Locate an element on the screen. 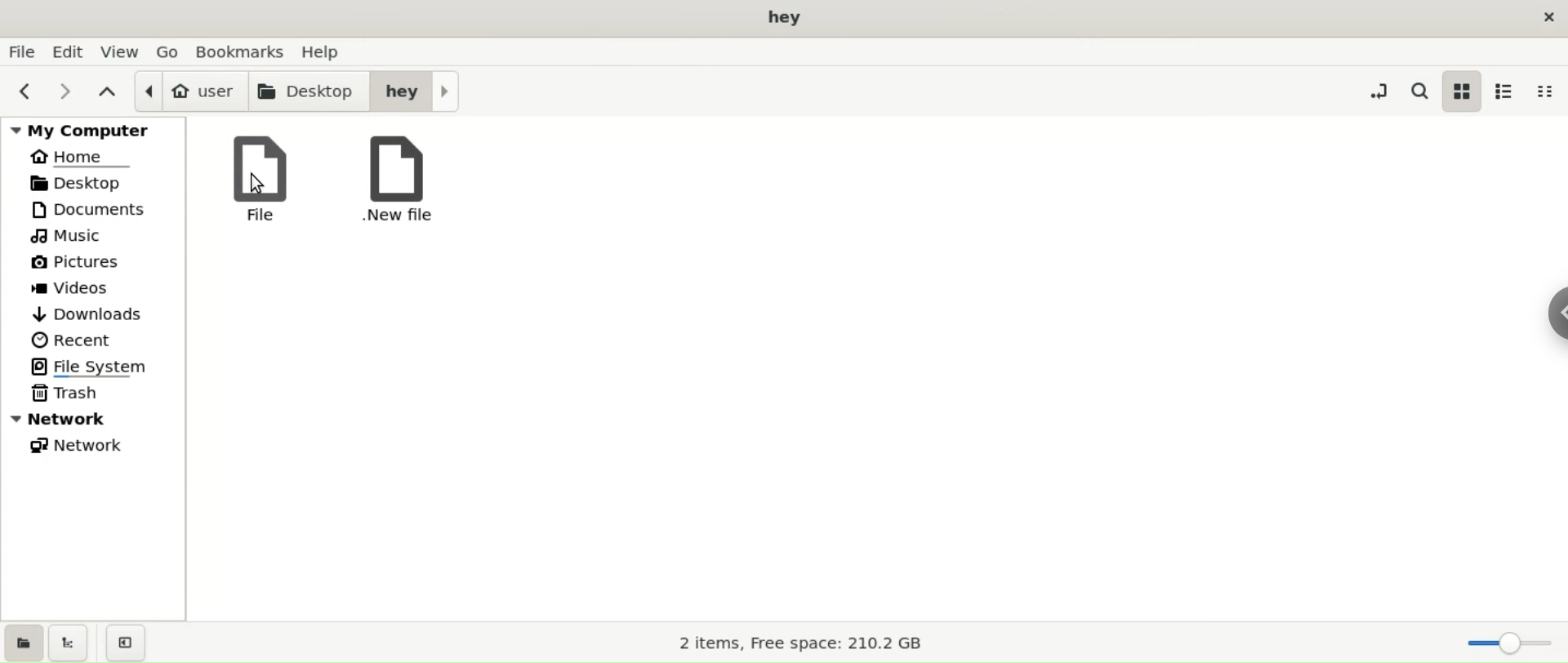 The height and width of the screenshot is (663, 1568). cursor is located at coordinates (256, 185).